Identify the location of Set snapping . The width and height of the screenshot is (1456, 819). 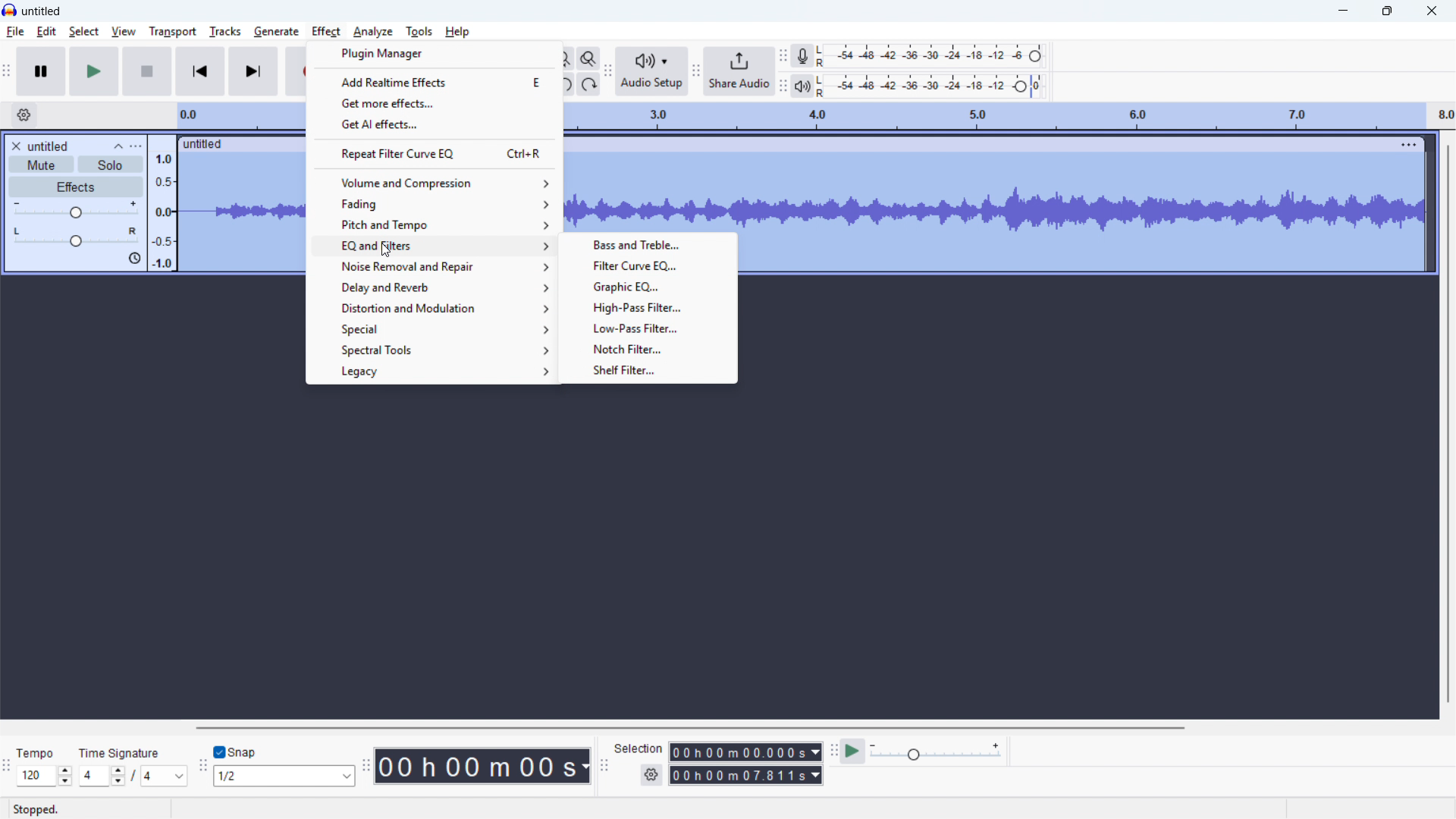
(284, 776).